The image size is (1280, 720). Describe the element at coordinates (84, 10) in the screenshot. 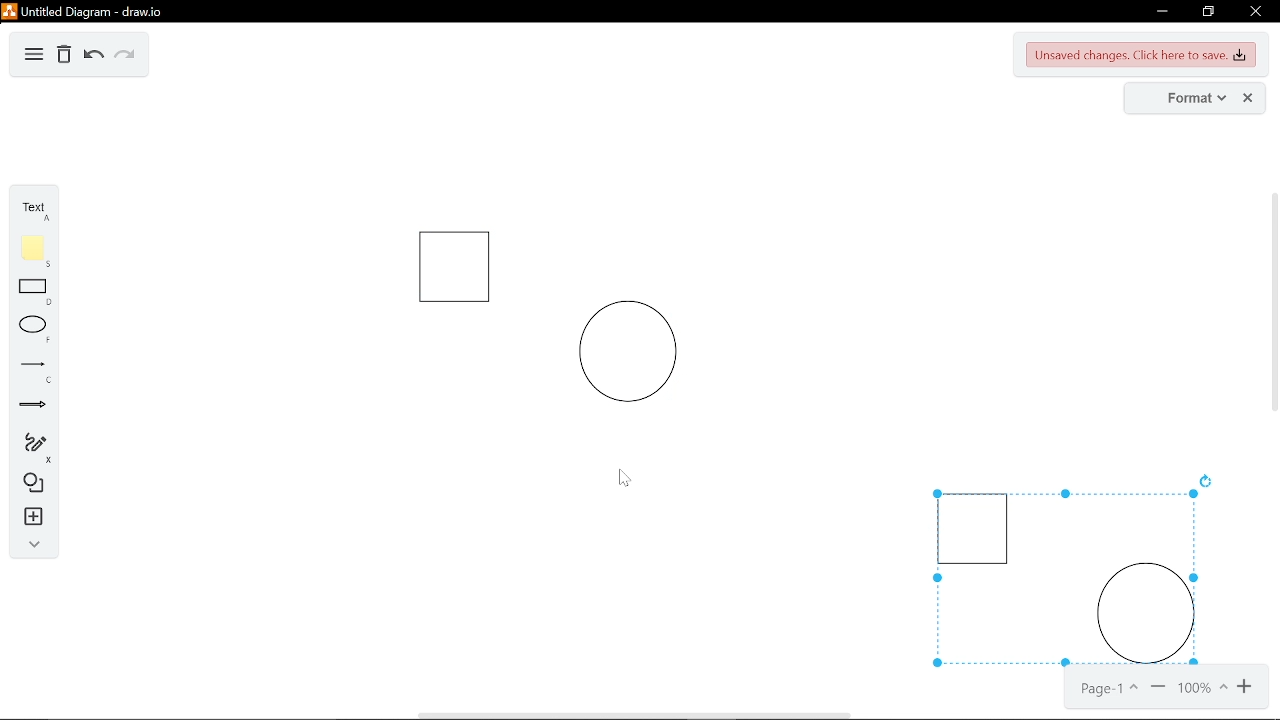

I see `untitled diagram - draw.io` at that location.